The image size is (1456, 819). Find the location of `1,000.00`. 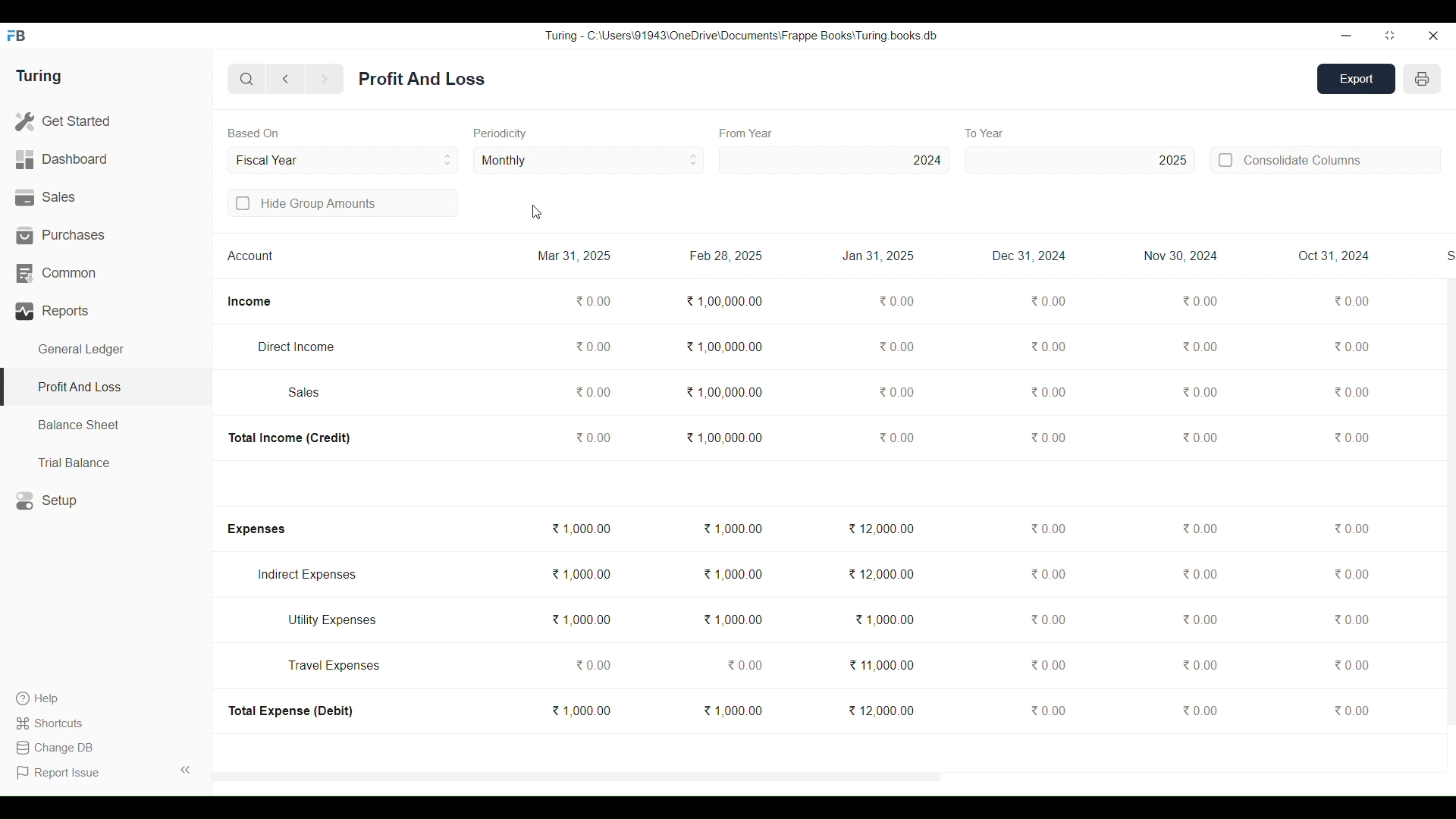

1,000.00 is located at coordinates (580, 620).